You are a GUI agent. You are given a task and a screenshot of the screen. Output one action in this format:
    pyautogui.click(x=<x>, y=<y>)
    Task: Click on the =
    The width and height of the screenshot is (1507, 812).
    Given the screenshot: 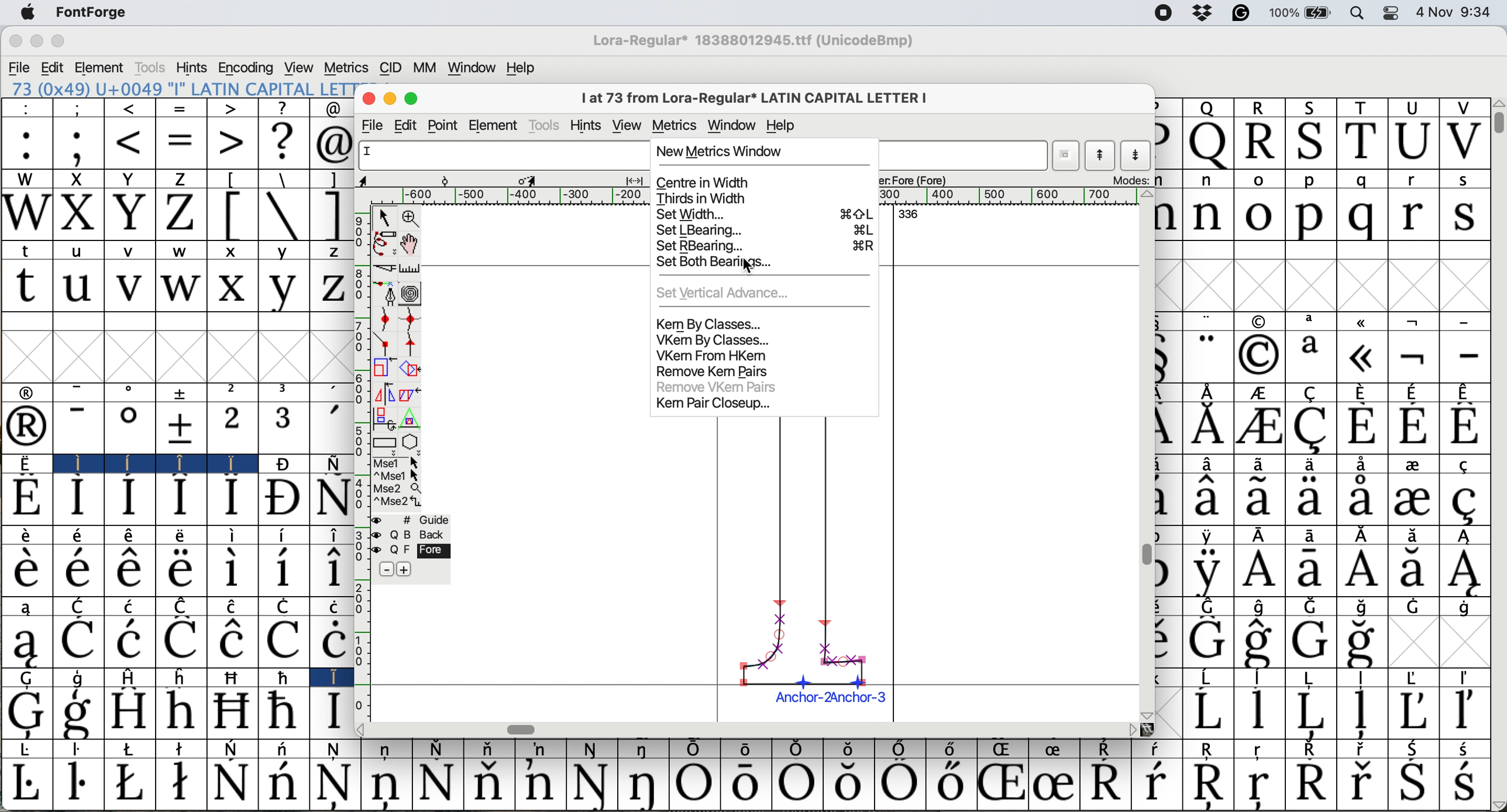 What is the action you would take?
    pyautogui.click(x=181, y=145)
    